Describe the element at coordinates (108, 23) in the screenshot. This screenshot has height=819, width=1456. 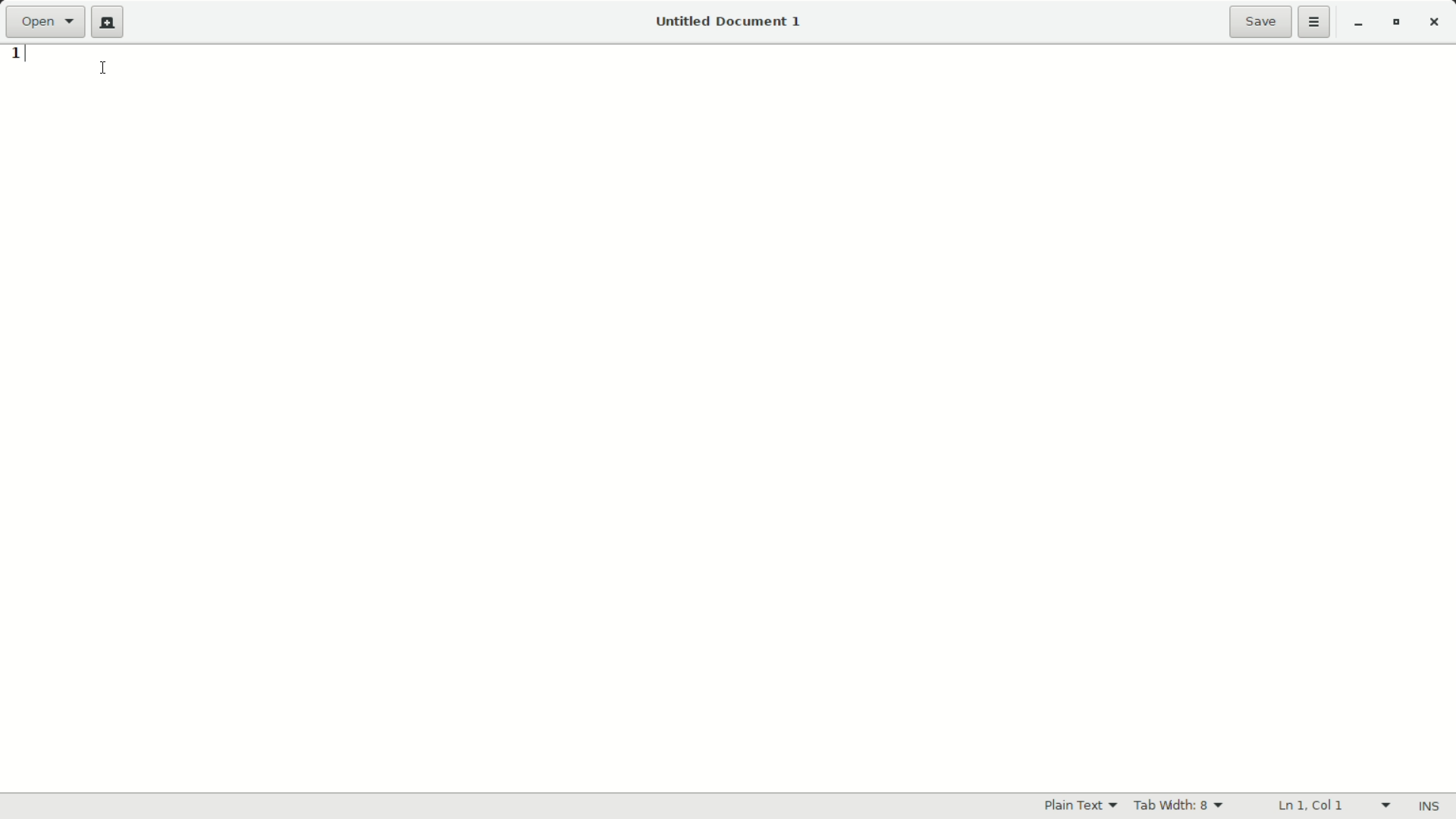
I see `new document` at that location.